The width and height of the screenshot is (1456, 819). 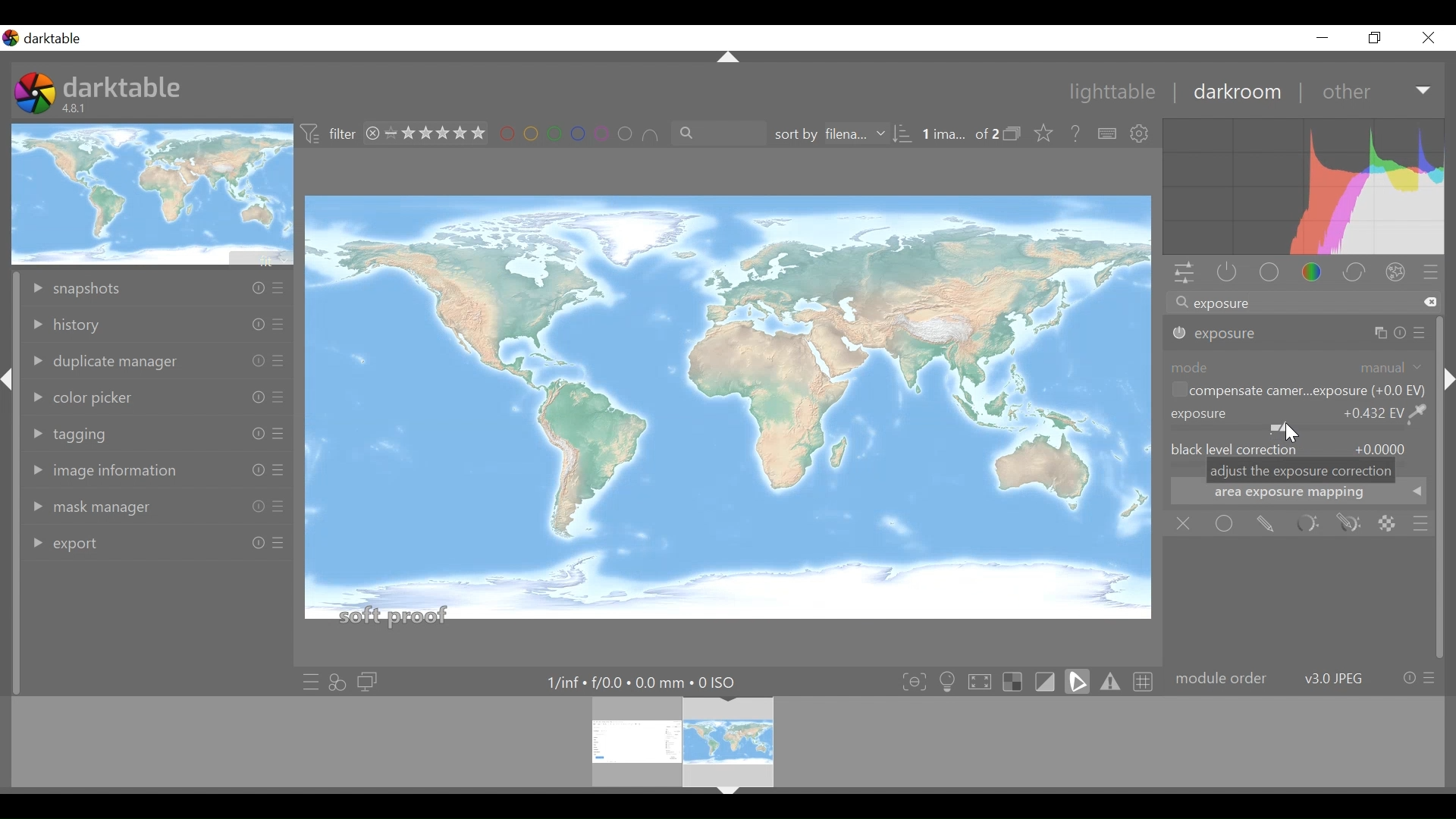 What do you see at coordinates (278, 548) in the screenshot?
I see `` at bounding box center [278, 548].